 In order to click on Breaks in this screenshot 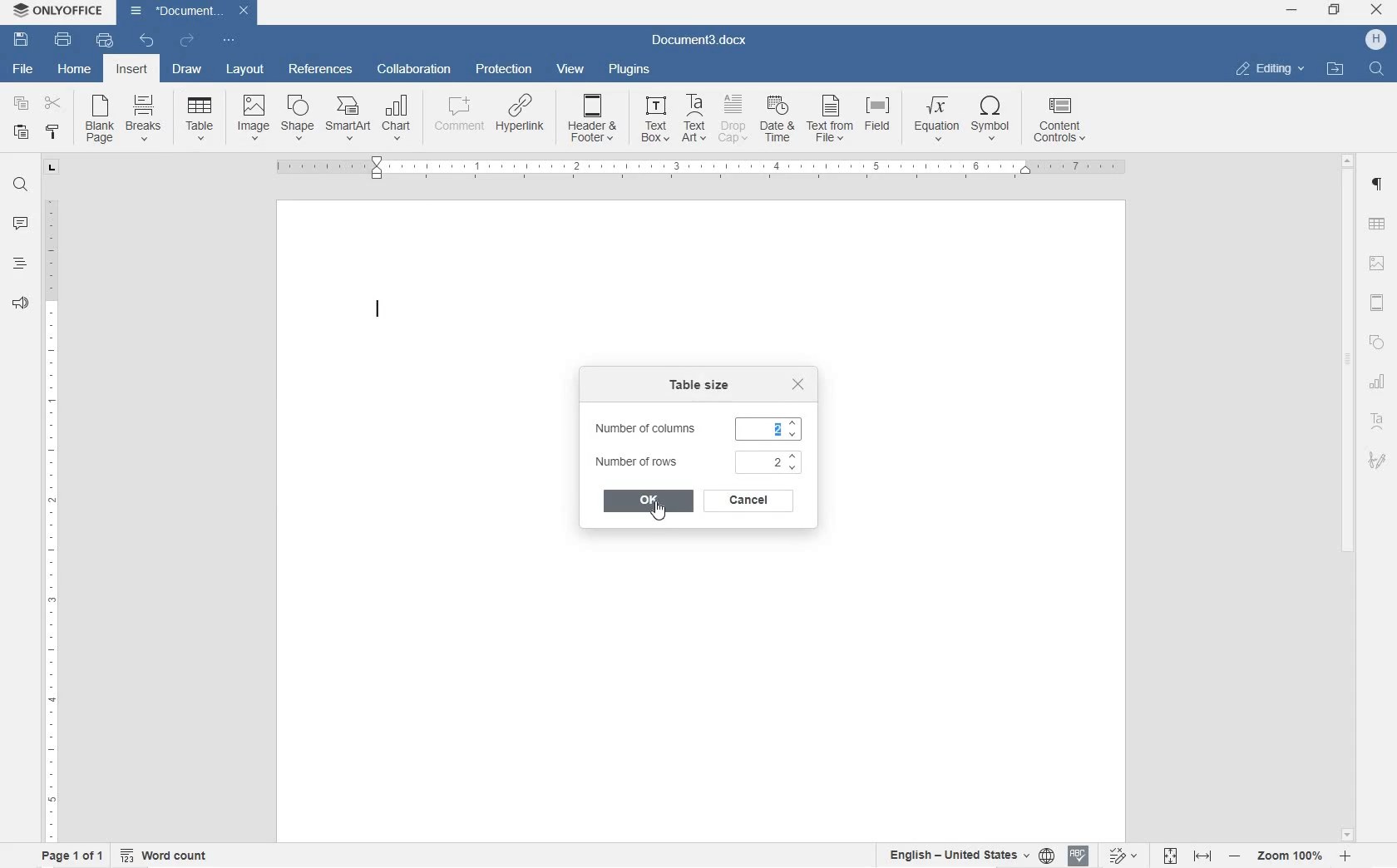, I will do `click(144, 117)`.